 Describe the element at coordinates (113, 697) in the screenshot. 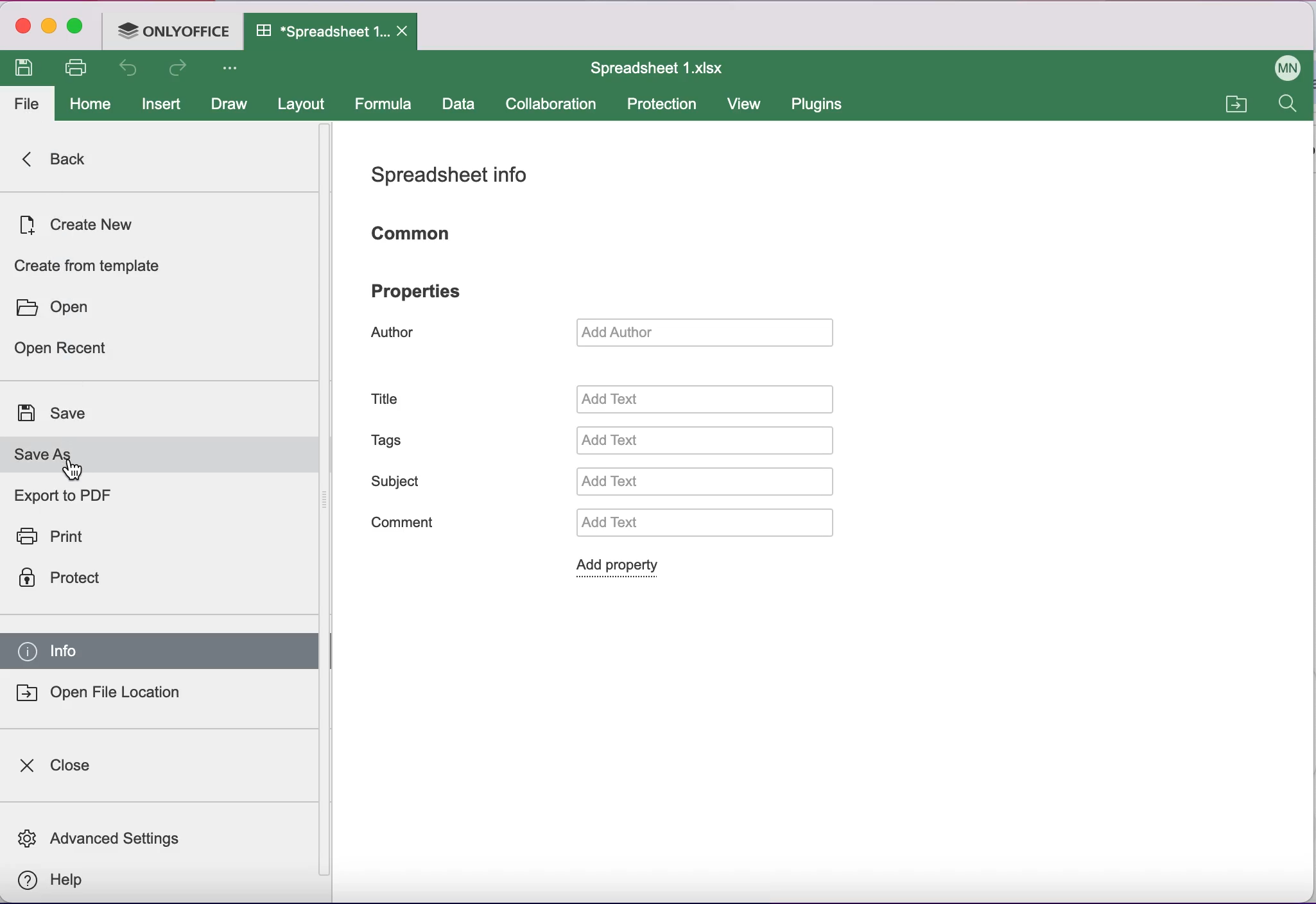

I see `open file location` at that location.